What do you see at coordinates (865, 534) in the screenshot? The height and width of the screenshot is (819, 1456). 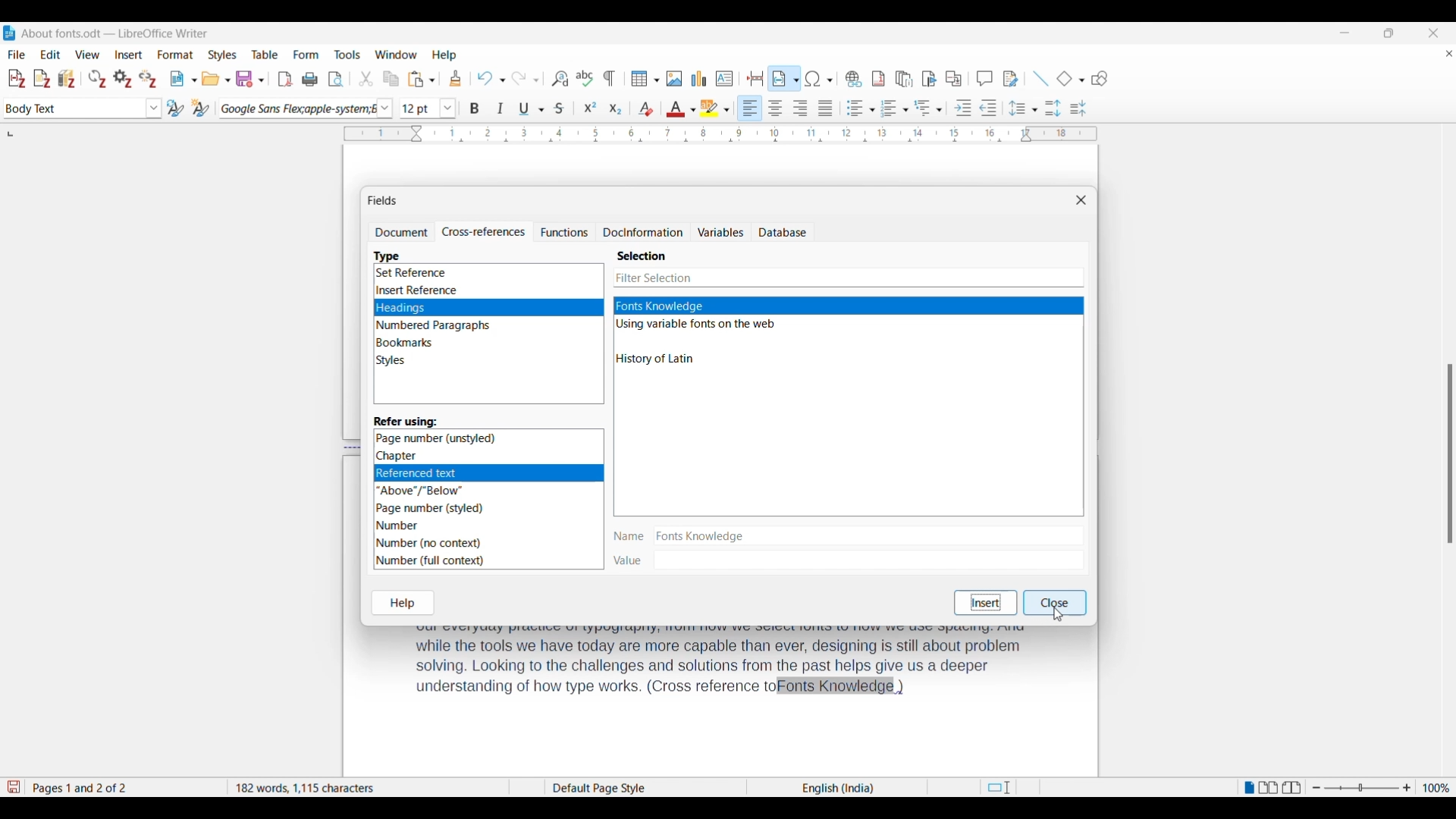 I see `Name of selection` at bounding box center [865, 534].